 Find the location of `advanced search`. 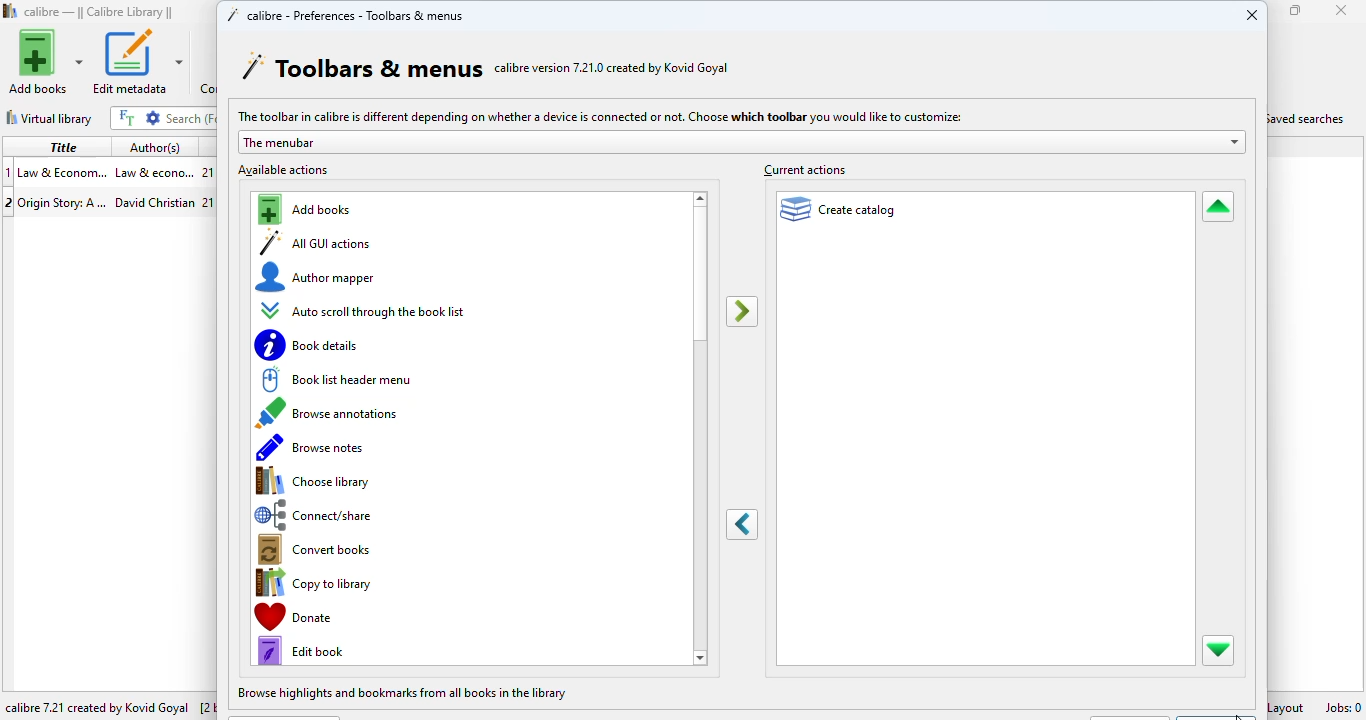

advanced search is located at coordinates (153, 118).